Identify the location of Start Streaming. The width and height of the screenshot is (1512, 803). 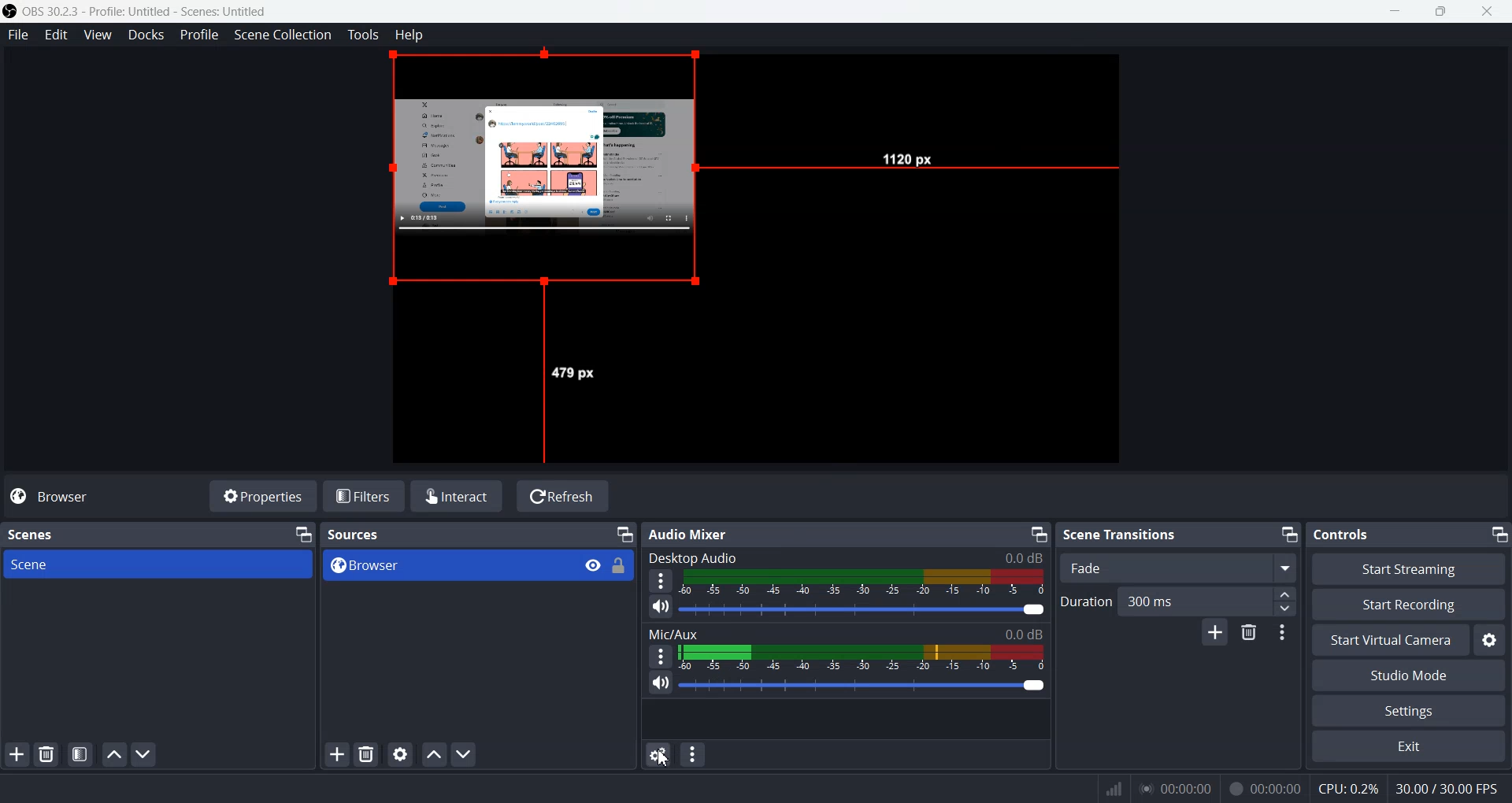
(1410, 568).